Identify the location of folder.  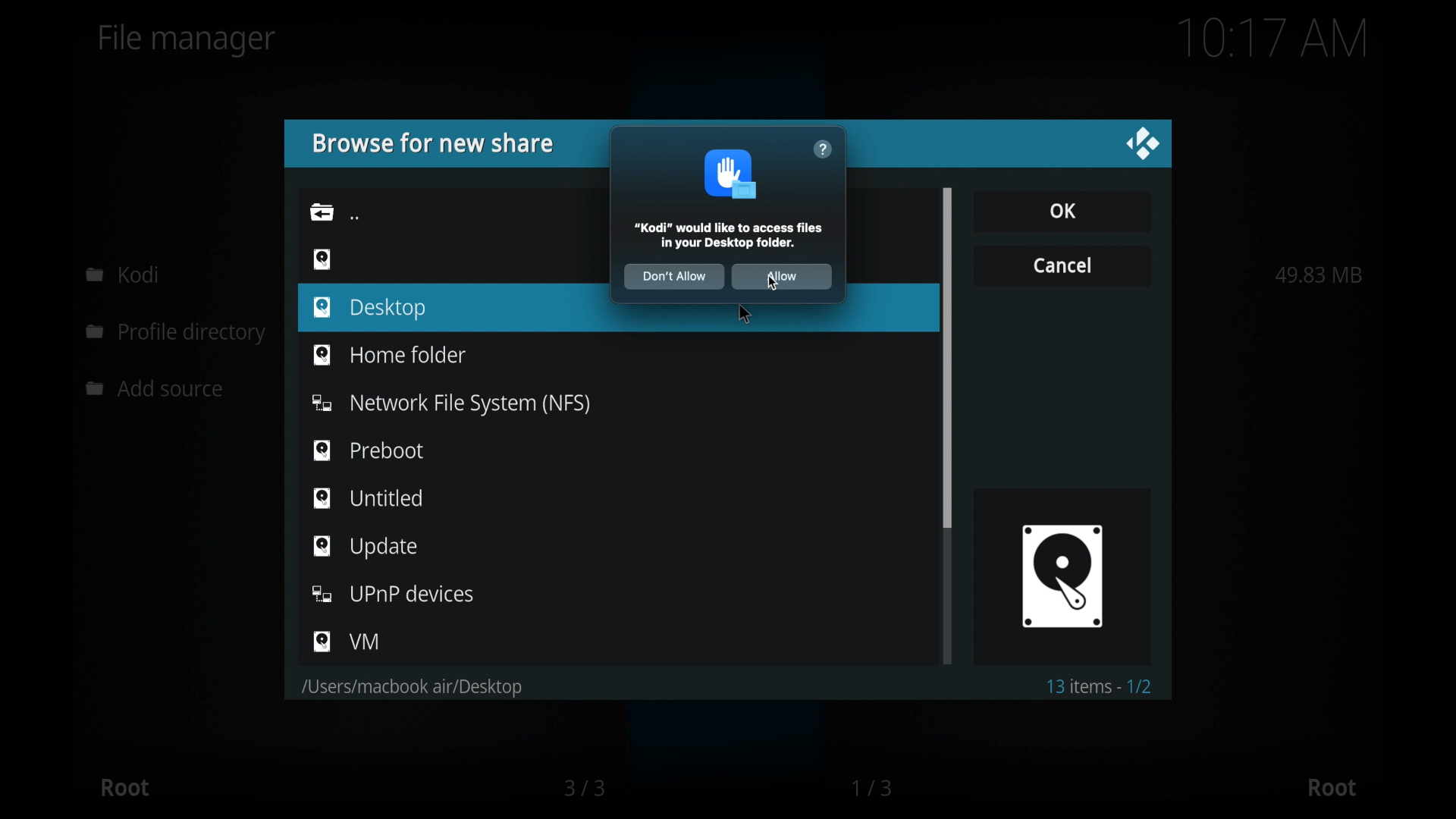
(409, 688).